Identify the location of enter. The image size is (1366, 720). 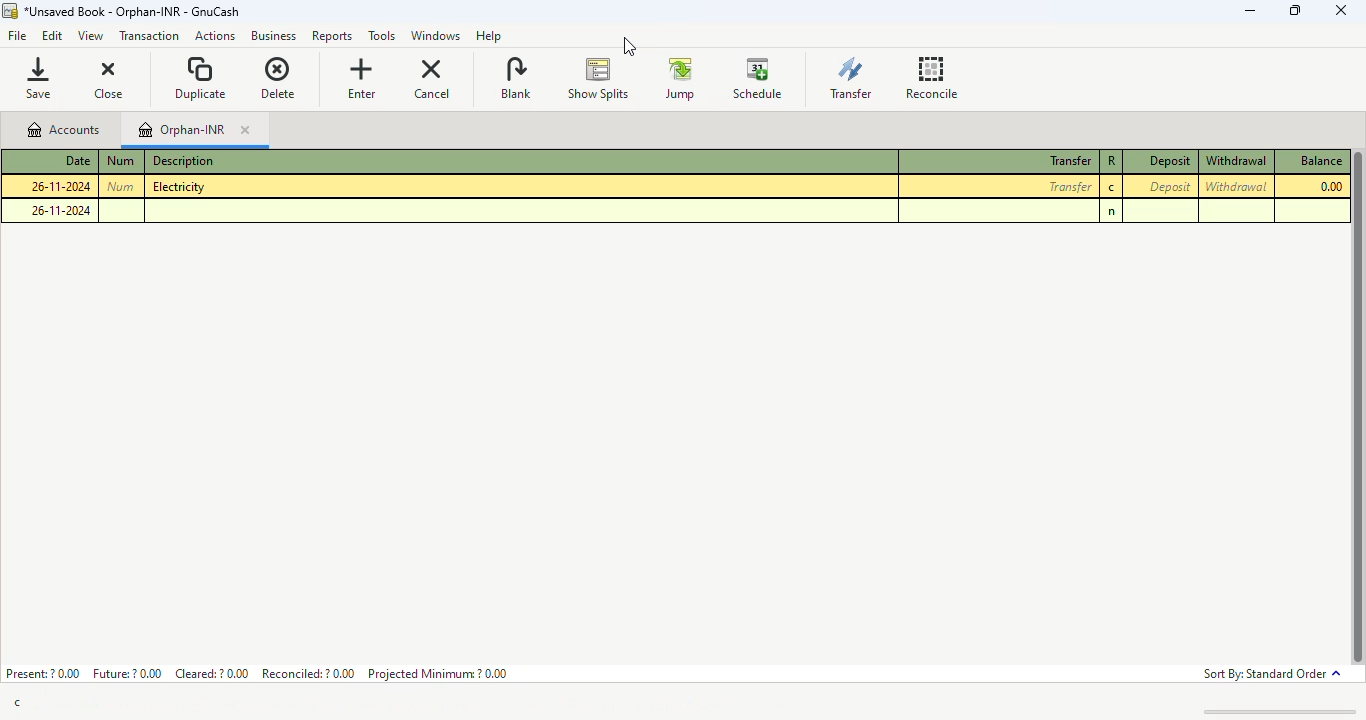
(361, 78).